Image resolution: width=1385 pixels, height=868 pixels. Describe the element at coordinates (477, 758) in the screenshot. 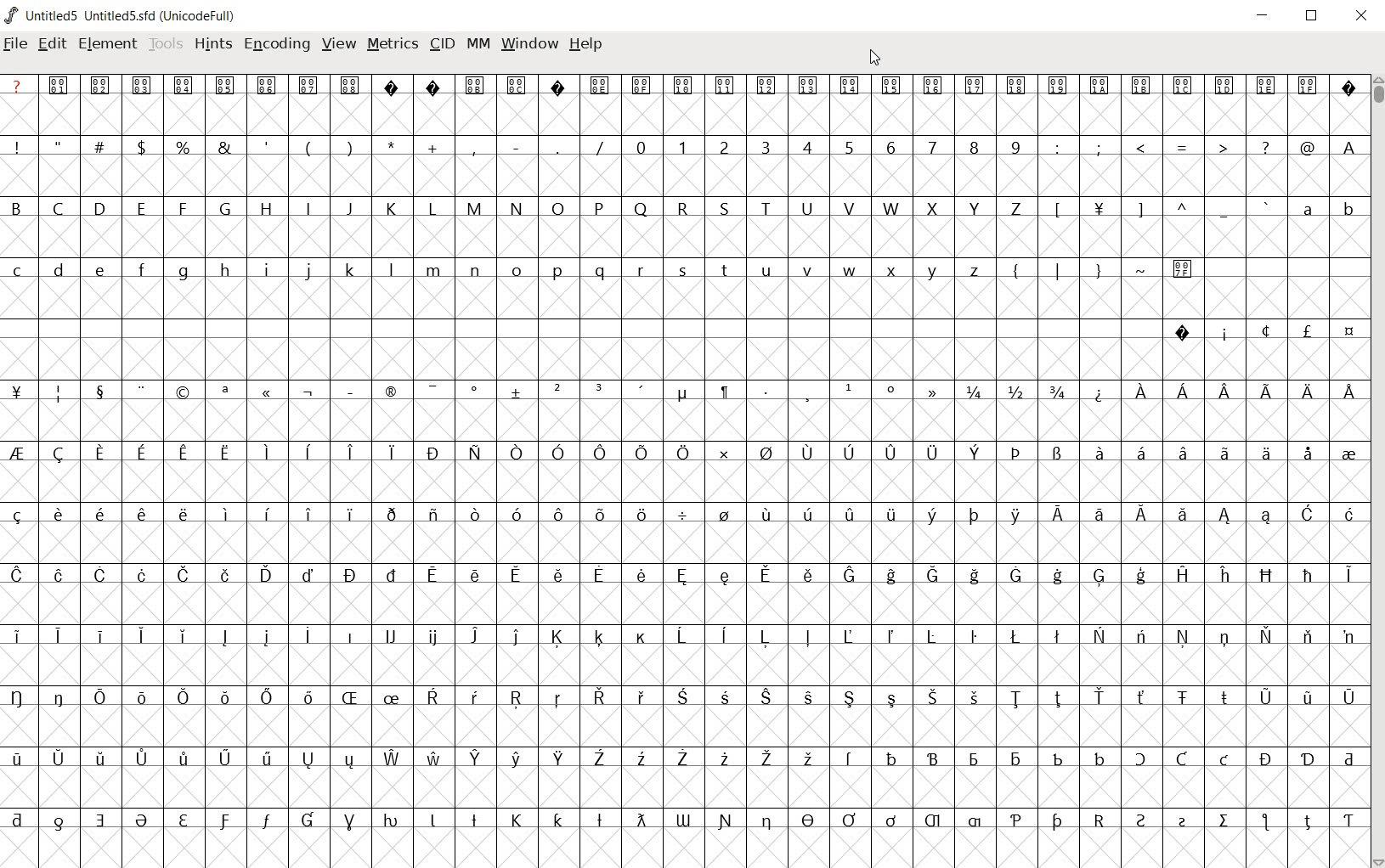

I see `Symbol` at that location.